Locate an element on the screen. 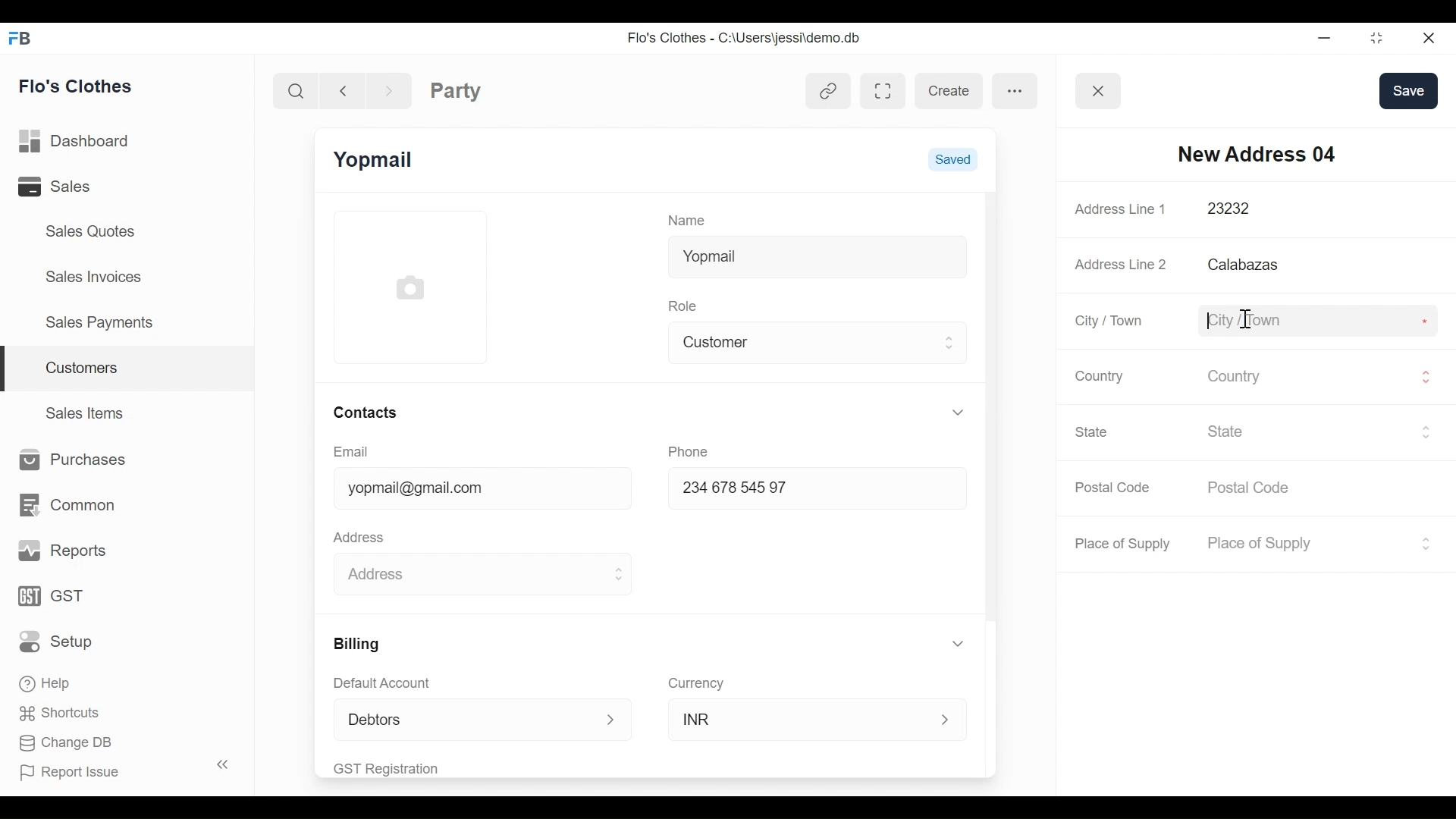  Restore is located at coordinates (1372, 38).